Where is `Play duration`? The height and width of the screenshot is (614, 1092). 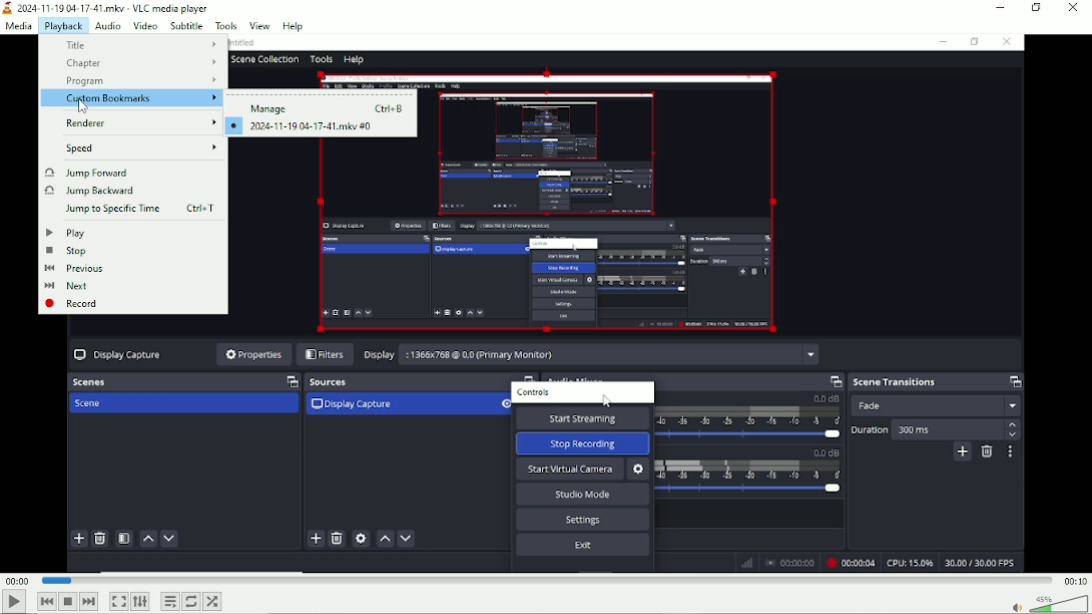 Play duration is located at coordinates (545, 579).